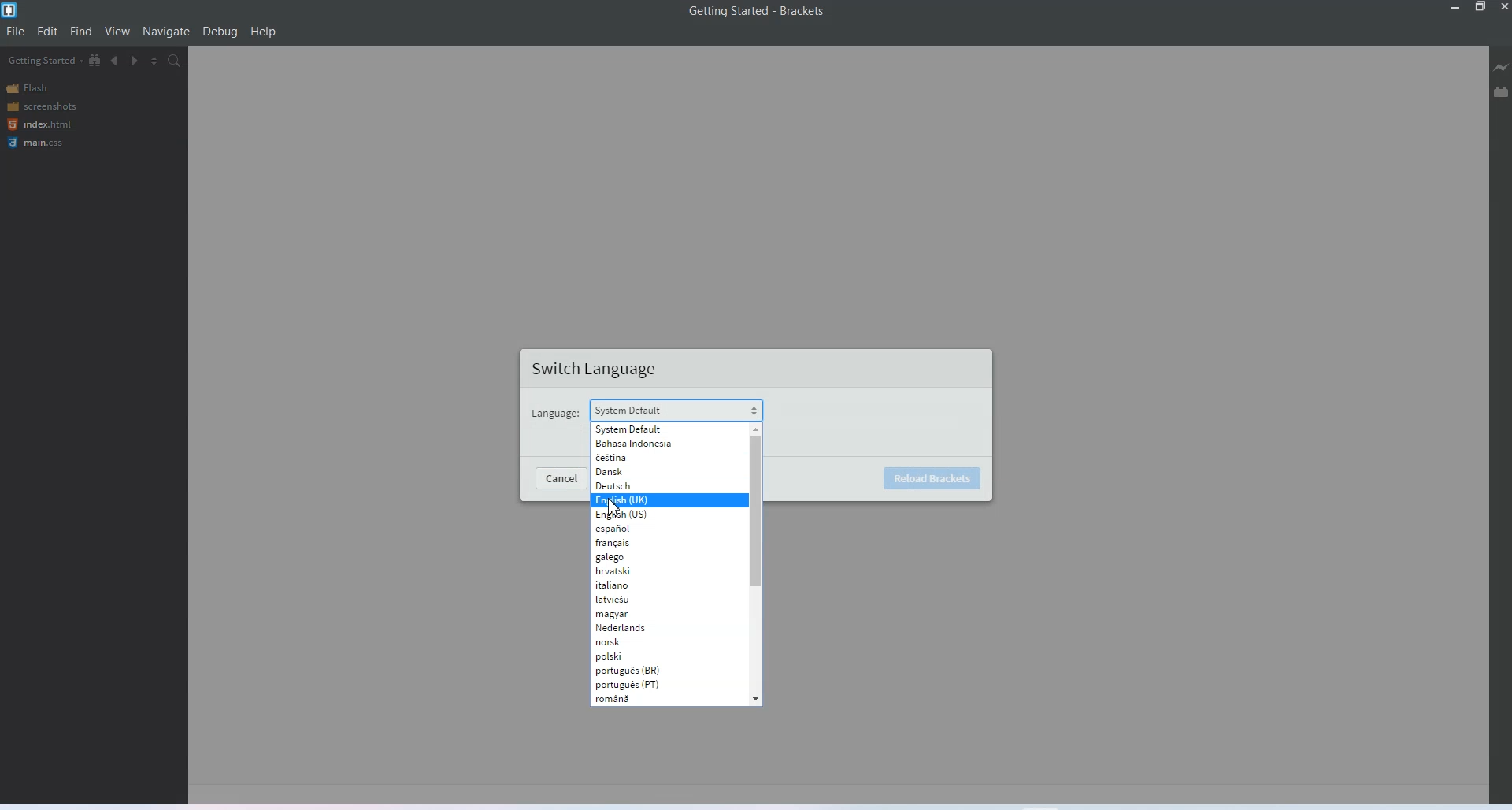 The image size is (1512, 810). What do you see at coordinates (636, 684) in the screenshot?
I see `Portugues pt` at bounding box center [636, 684].